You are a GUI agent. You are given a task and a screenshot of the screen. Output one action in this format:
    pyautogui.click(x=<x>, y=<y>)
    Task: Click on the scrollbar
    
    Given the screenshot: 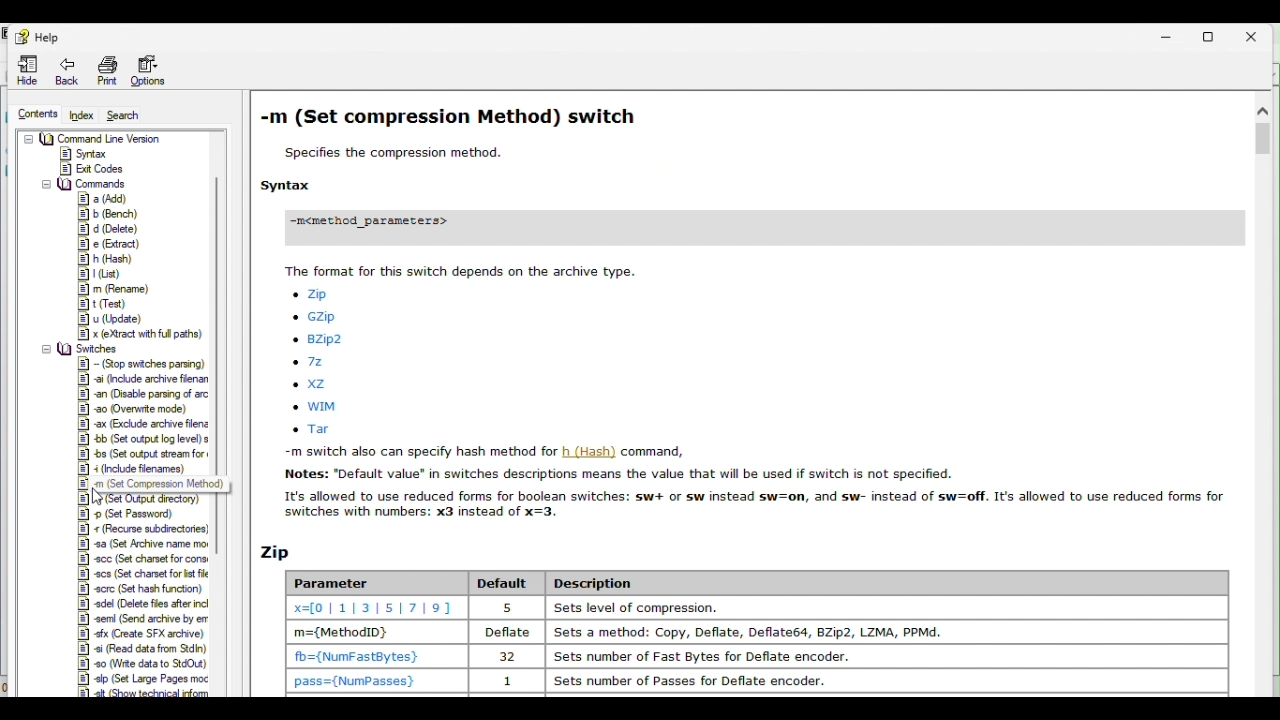 What is the action you would take?
    pyautogui.click(x=217, y=260)
    